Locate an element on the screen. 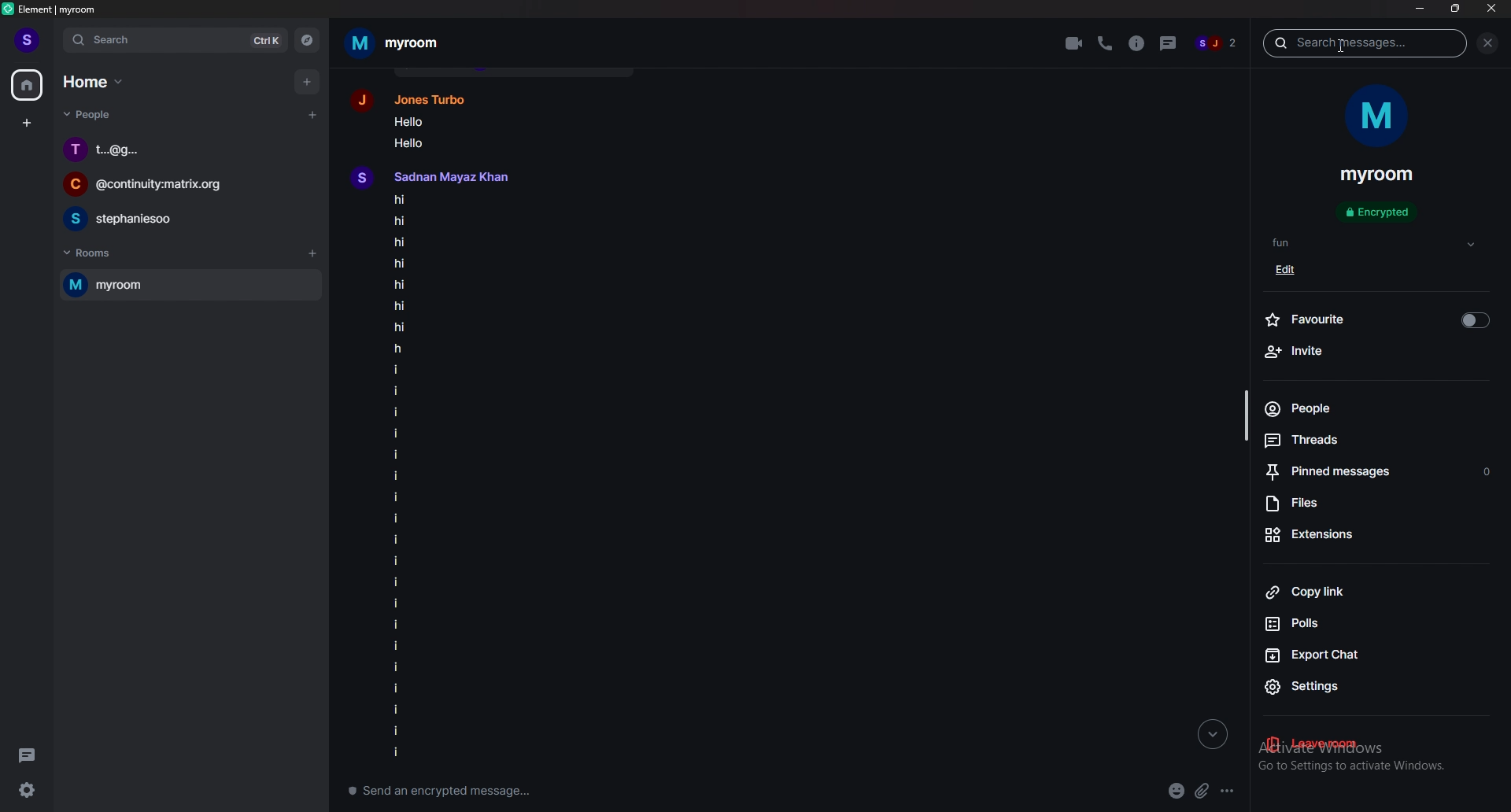  voice call is located at coordinates (1103, 43).